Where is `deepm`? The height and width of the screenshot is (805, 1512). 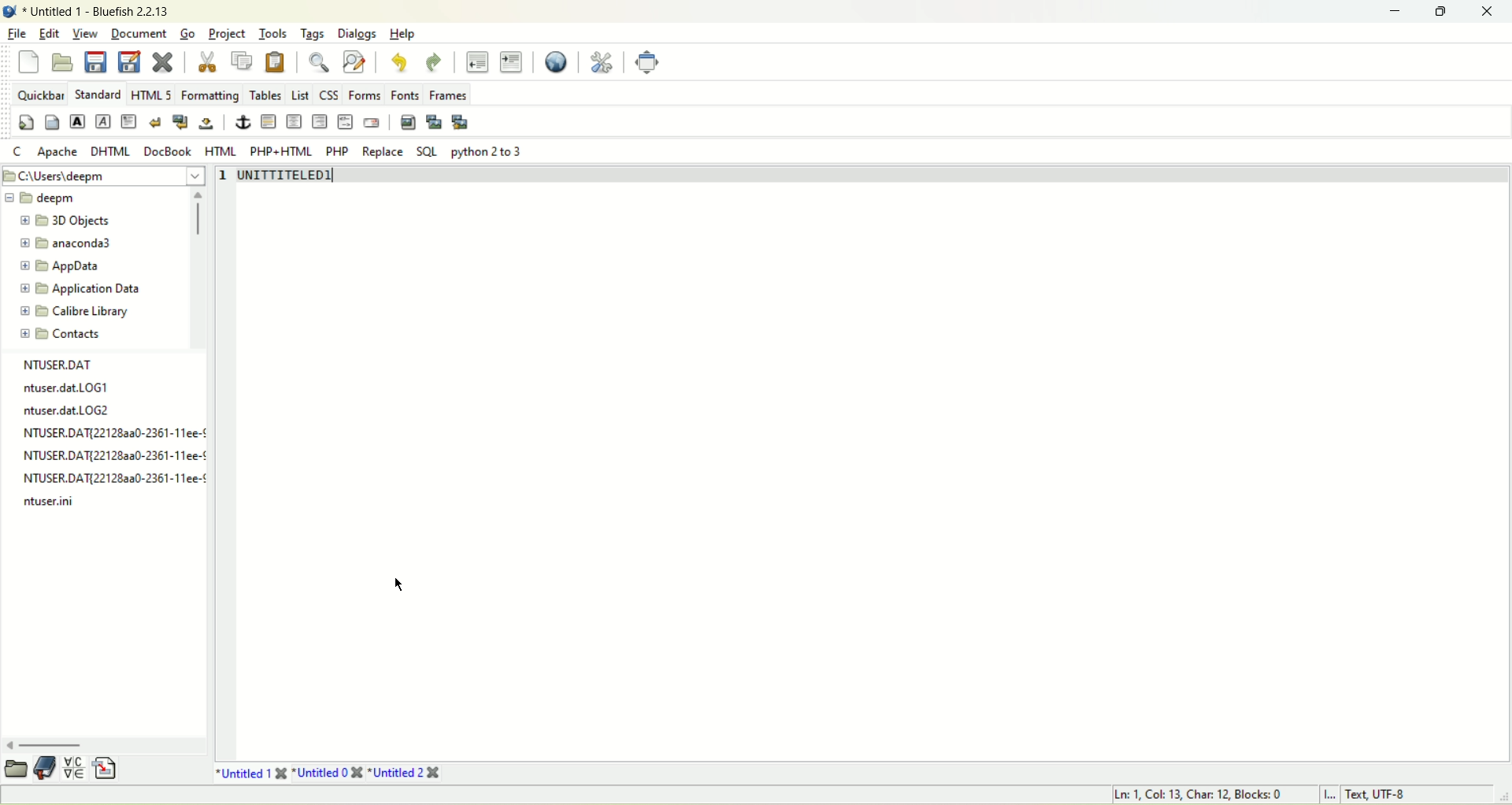
deepm is located at coordinates (39, 199).